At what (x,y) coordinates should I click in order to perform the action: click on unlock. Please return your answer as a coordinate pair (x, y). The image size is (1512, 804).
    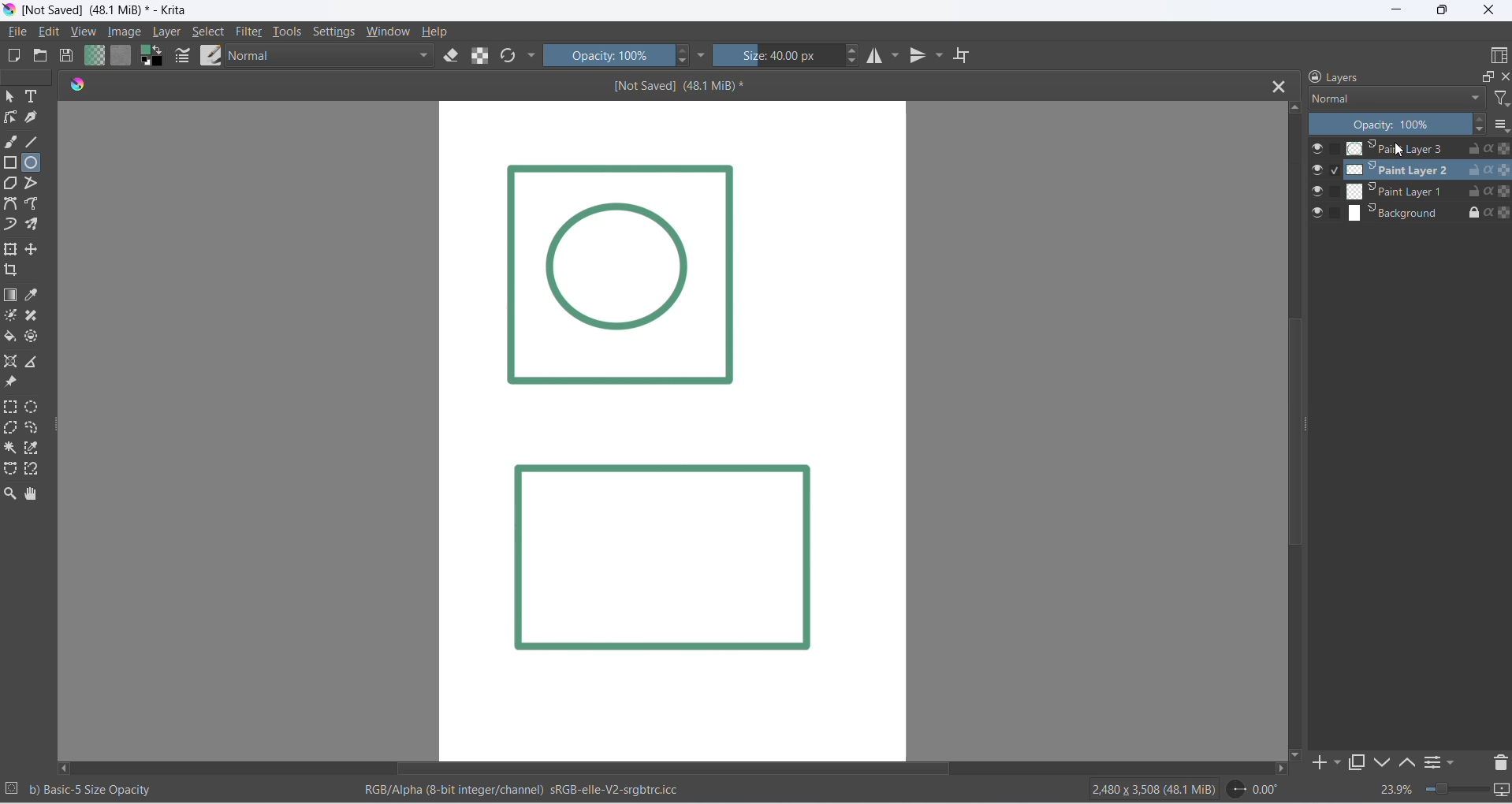
    Looking at the image, I should click on (1470, 171).